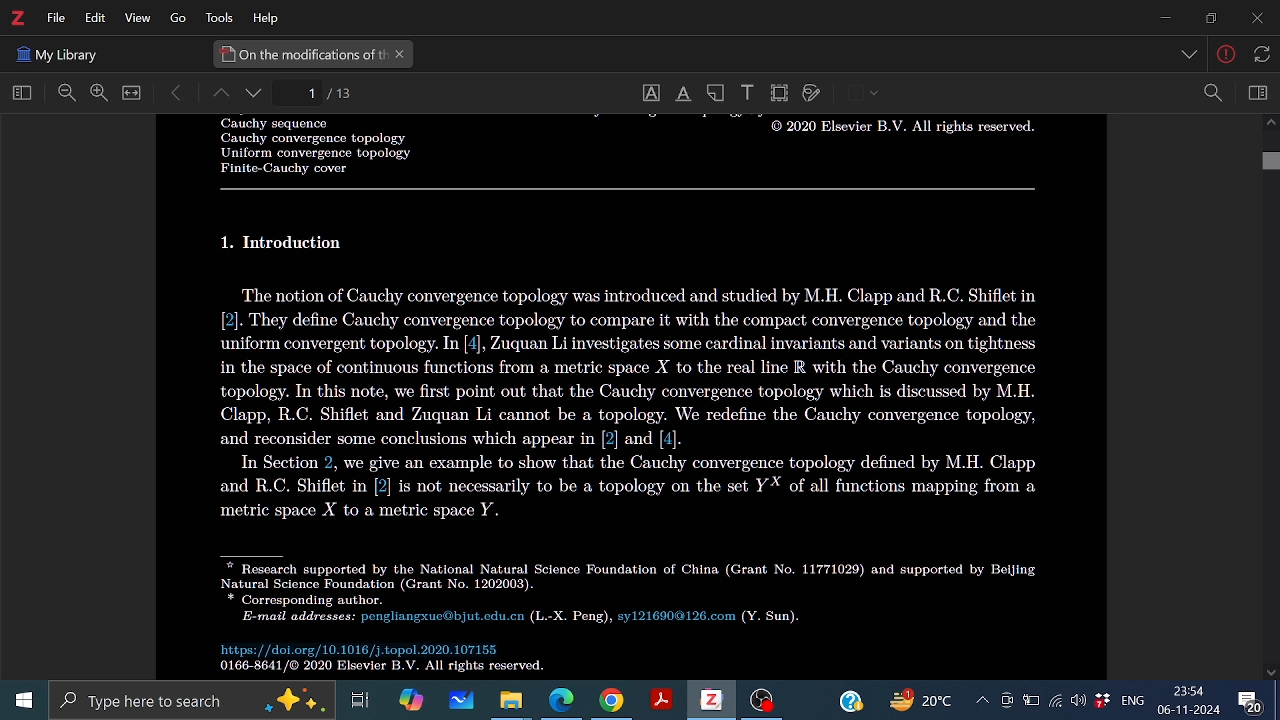 The image size is (1280, 720). Describe the element at coordinates (57, 52) in the screenshot. I see `` at that location.